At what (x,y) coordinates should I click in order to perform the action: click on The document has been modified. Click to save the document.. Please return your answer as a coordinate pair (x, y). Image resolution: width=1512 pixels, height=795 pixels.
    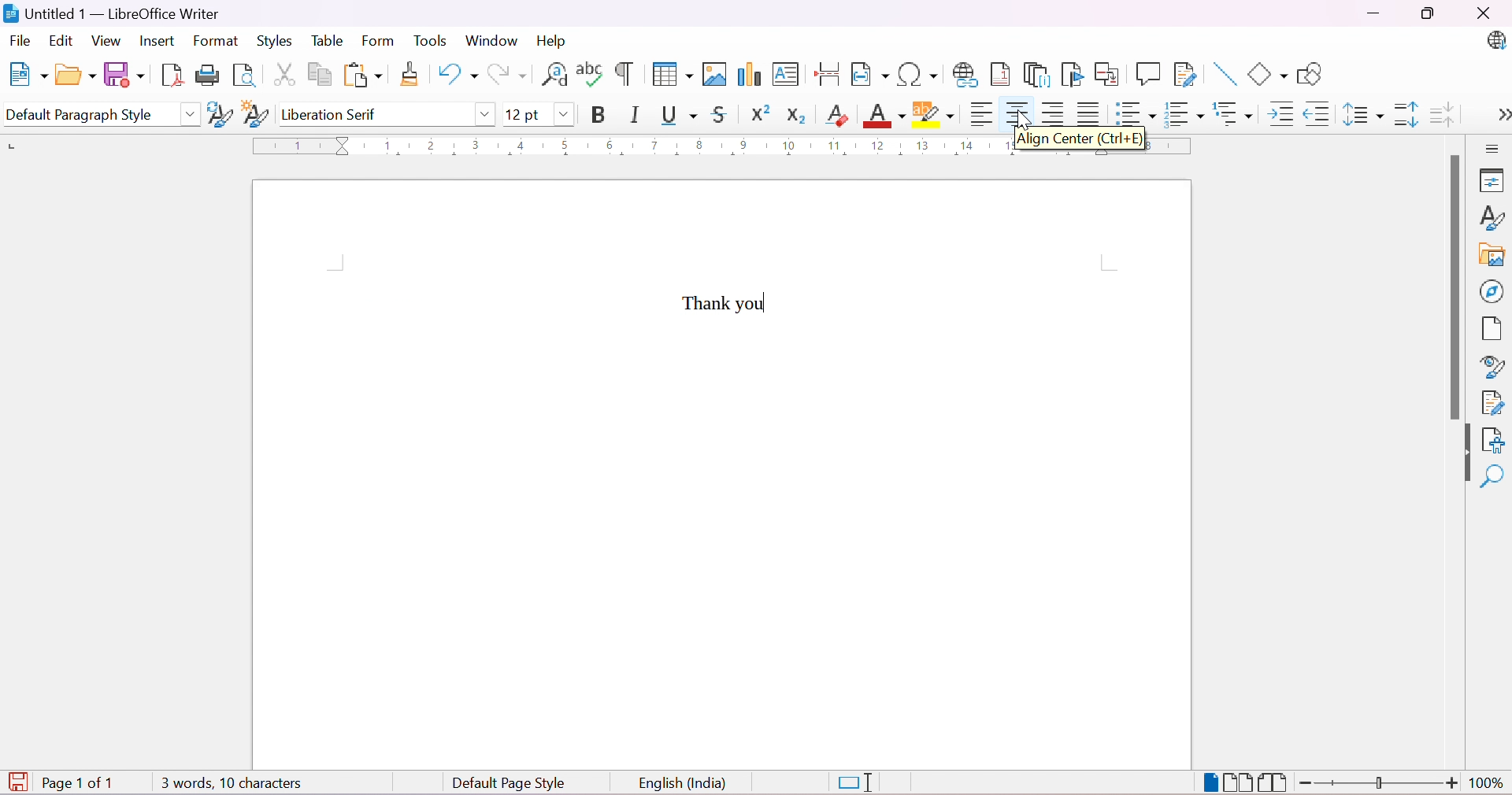
    Looking at the image, I should click on (17, 781).